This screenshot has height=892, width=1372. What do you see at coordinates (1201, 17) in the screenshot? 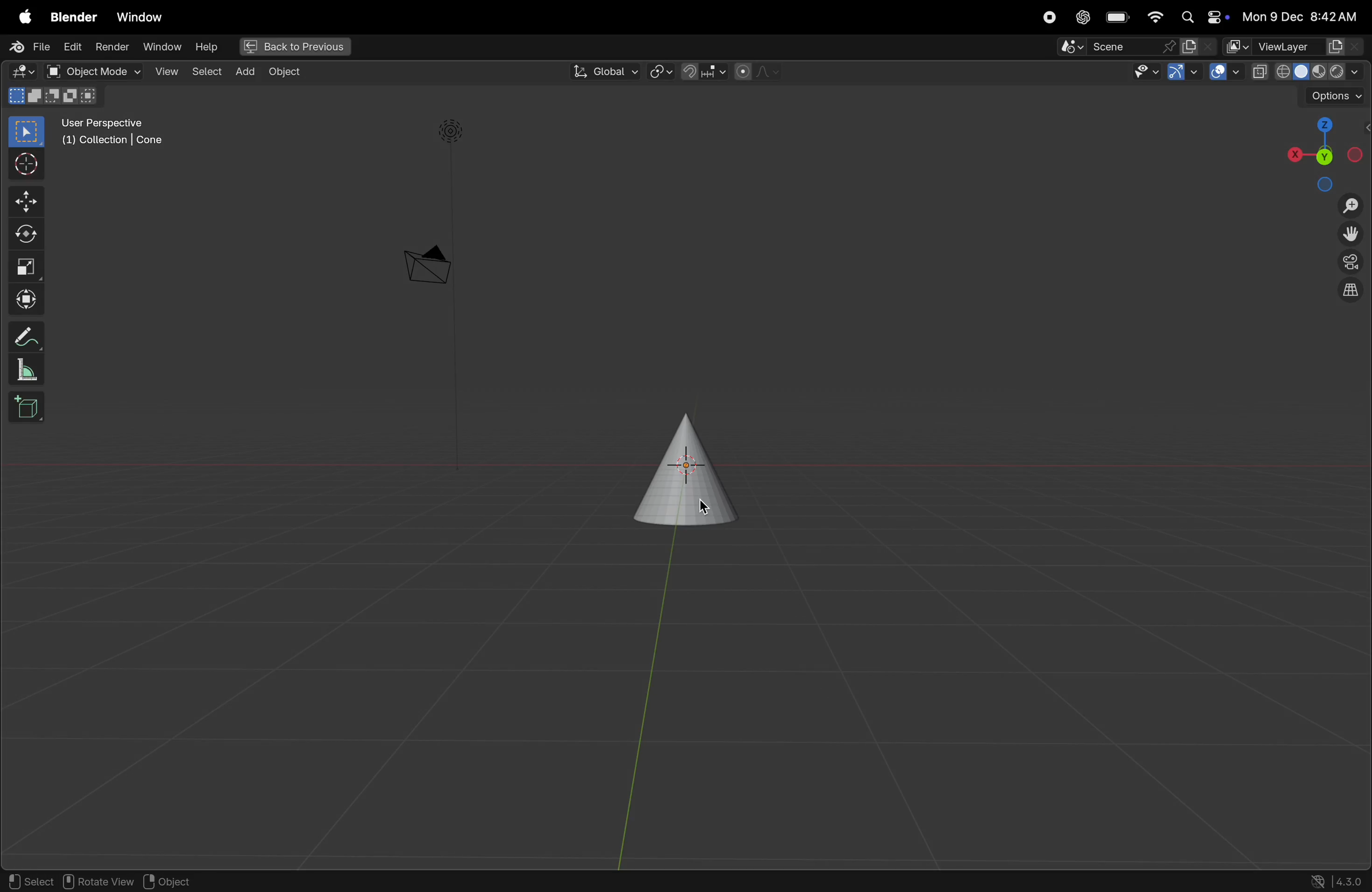
I see `apple widgets` at bounding box center [1201, 17].